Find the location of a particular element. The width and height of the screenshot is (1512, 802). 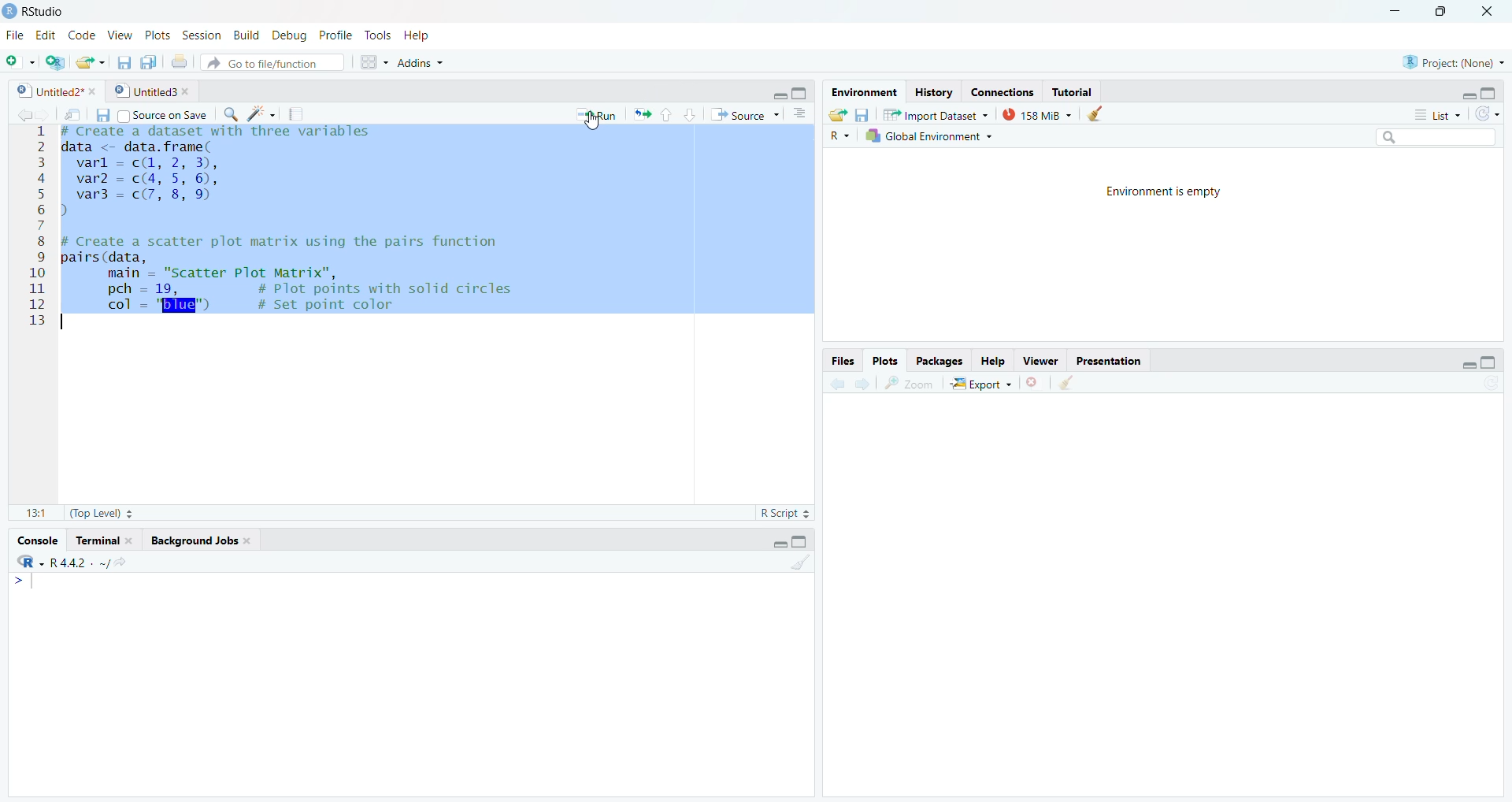

Show document outline is located at coordinates (803, 113).